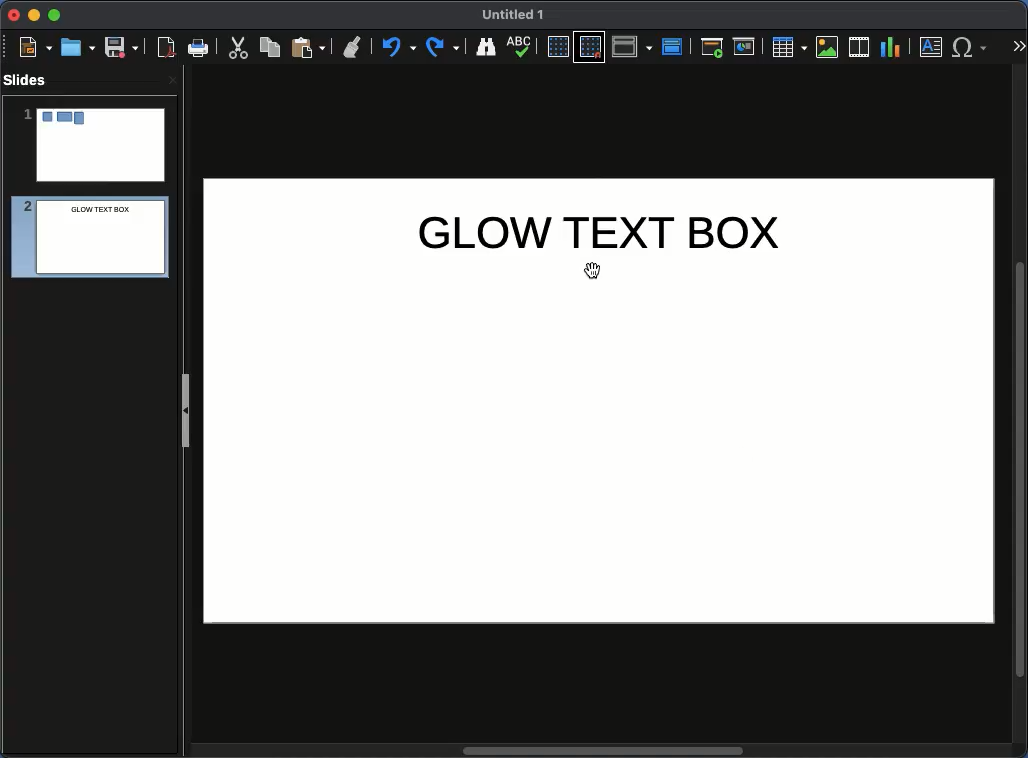 The width and height of the screenshot is (1028, 758). What do you see at coordinates (890, 48) in the screenshot?
I see `Chart` at bounding box center [890, 48].